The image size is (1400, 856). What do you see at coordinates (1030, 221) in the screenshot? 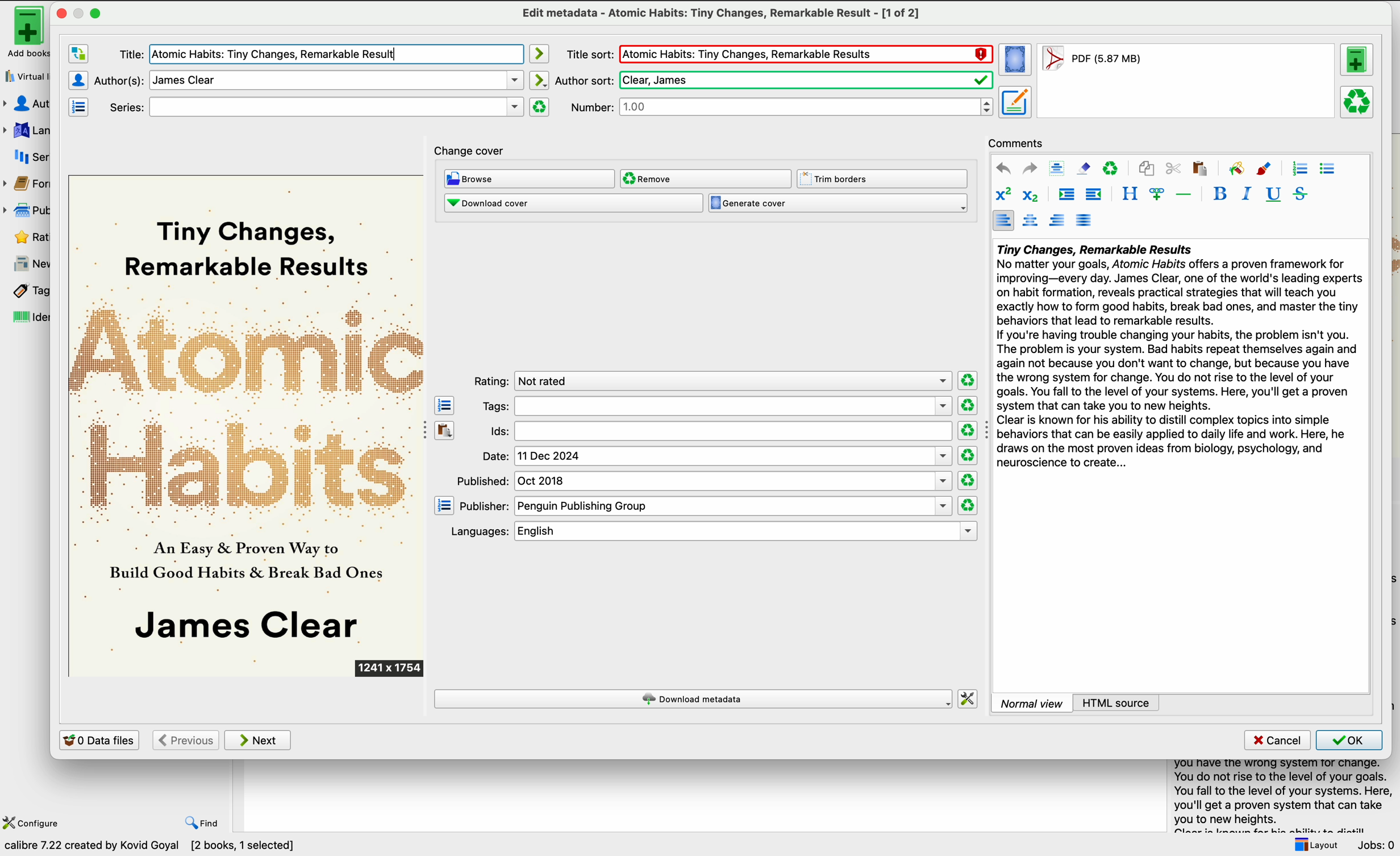
I see `align center` at bounding box center [1030, 221].